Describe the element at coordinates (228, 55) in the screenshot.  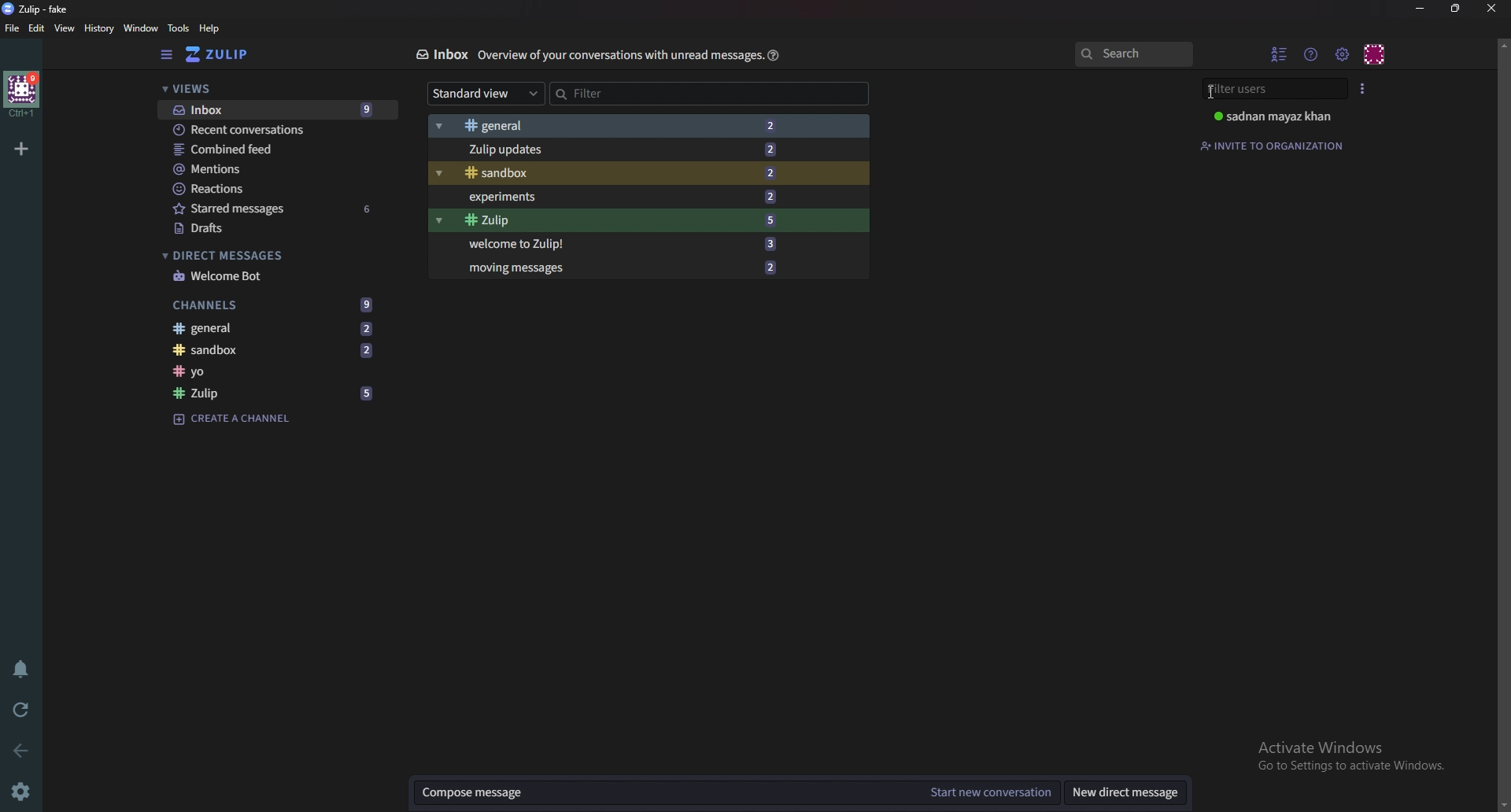
I see `Zulip` at that location.